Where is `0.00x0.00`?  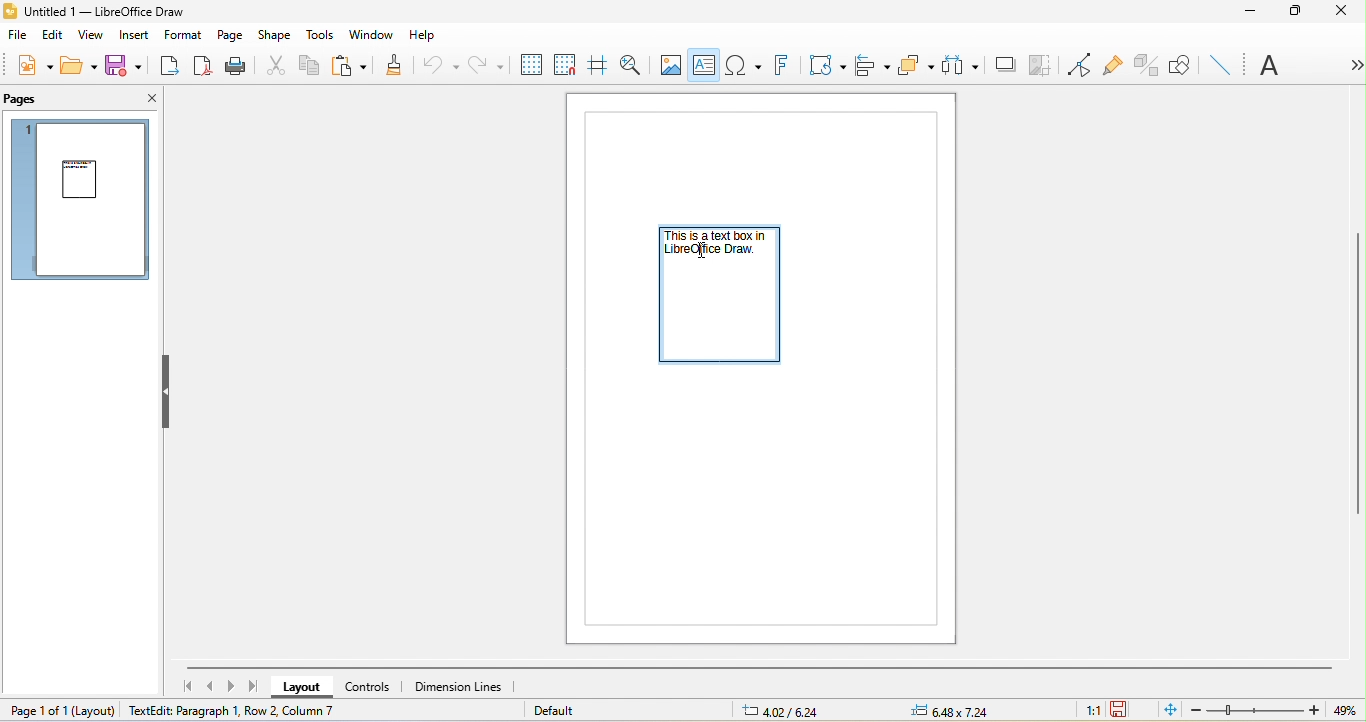
0.00x0.00 is located at coordinates (961, 711).